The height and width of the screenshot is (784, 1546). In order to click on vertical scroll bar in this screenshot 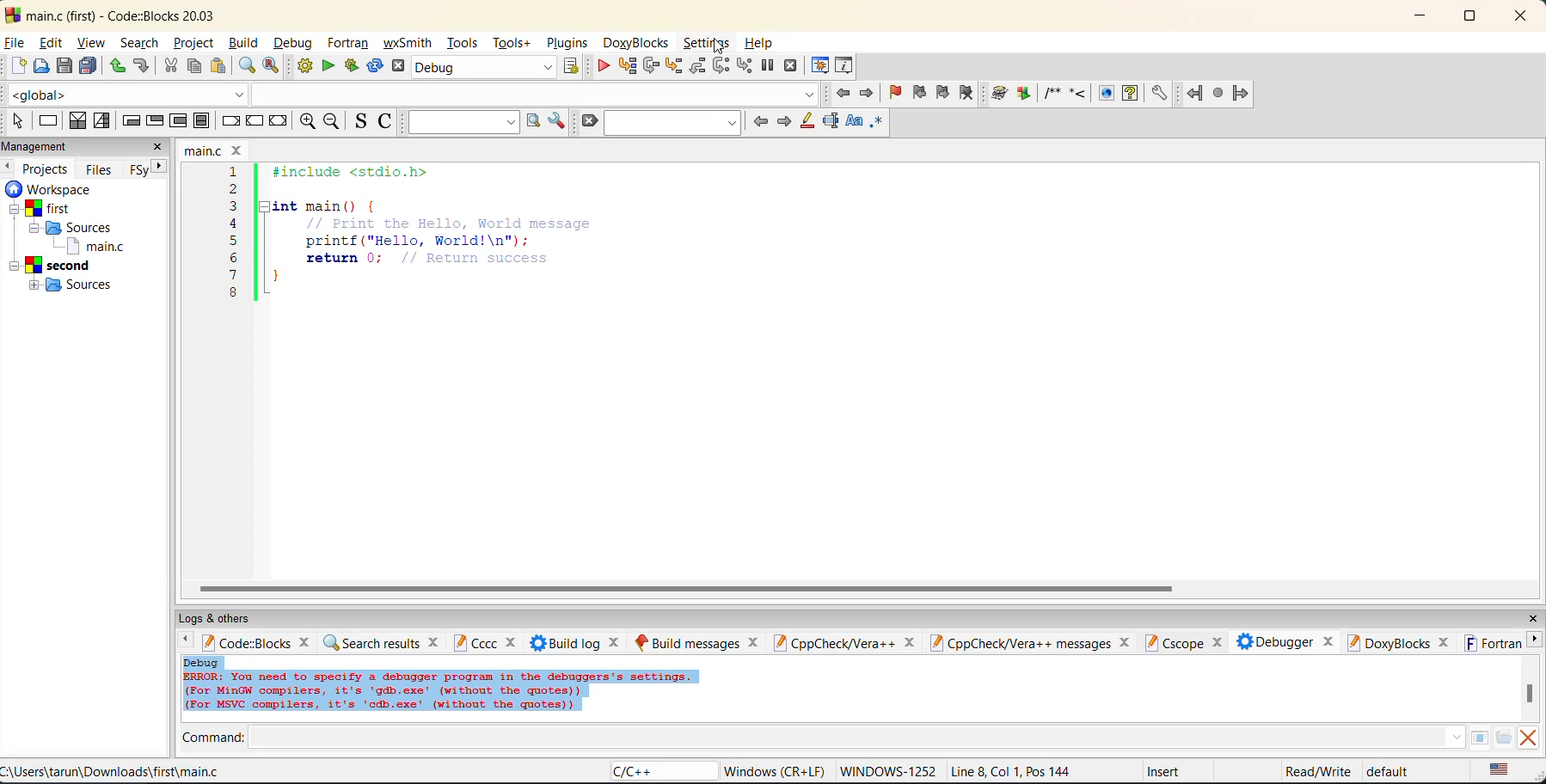, I will do `click(1532, 696)`.